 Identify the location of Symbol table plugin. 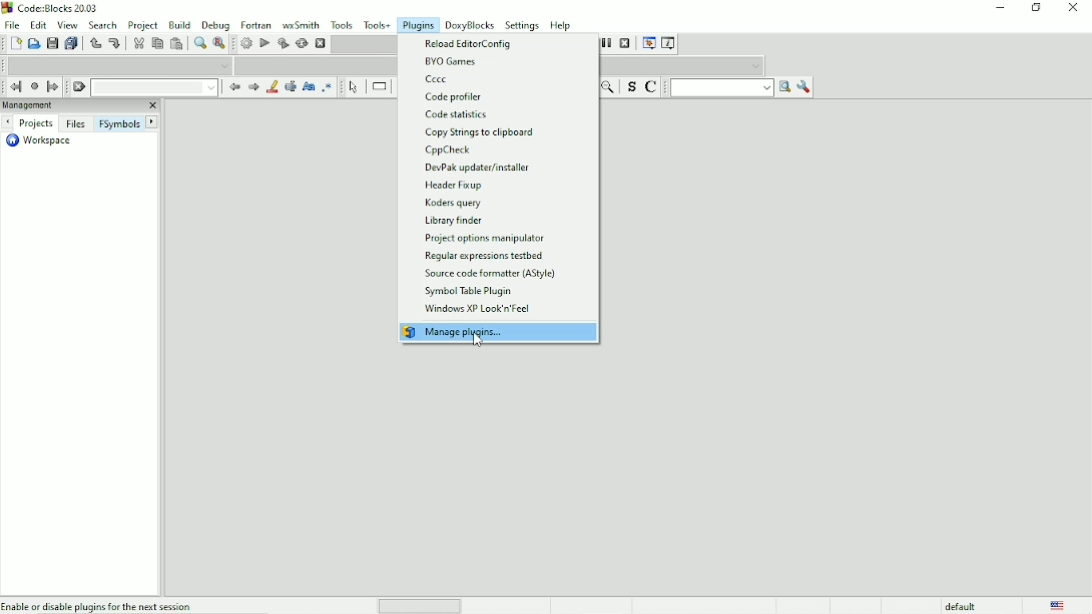
(467, 292).